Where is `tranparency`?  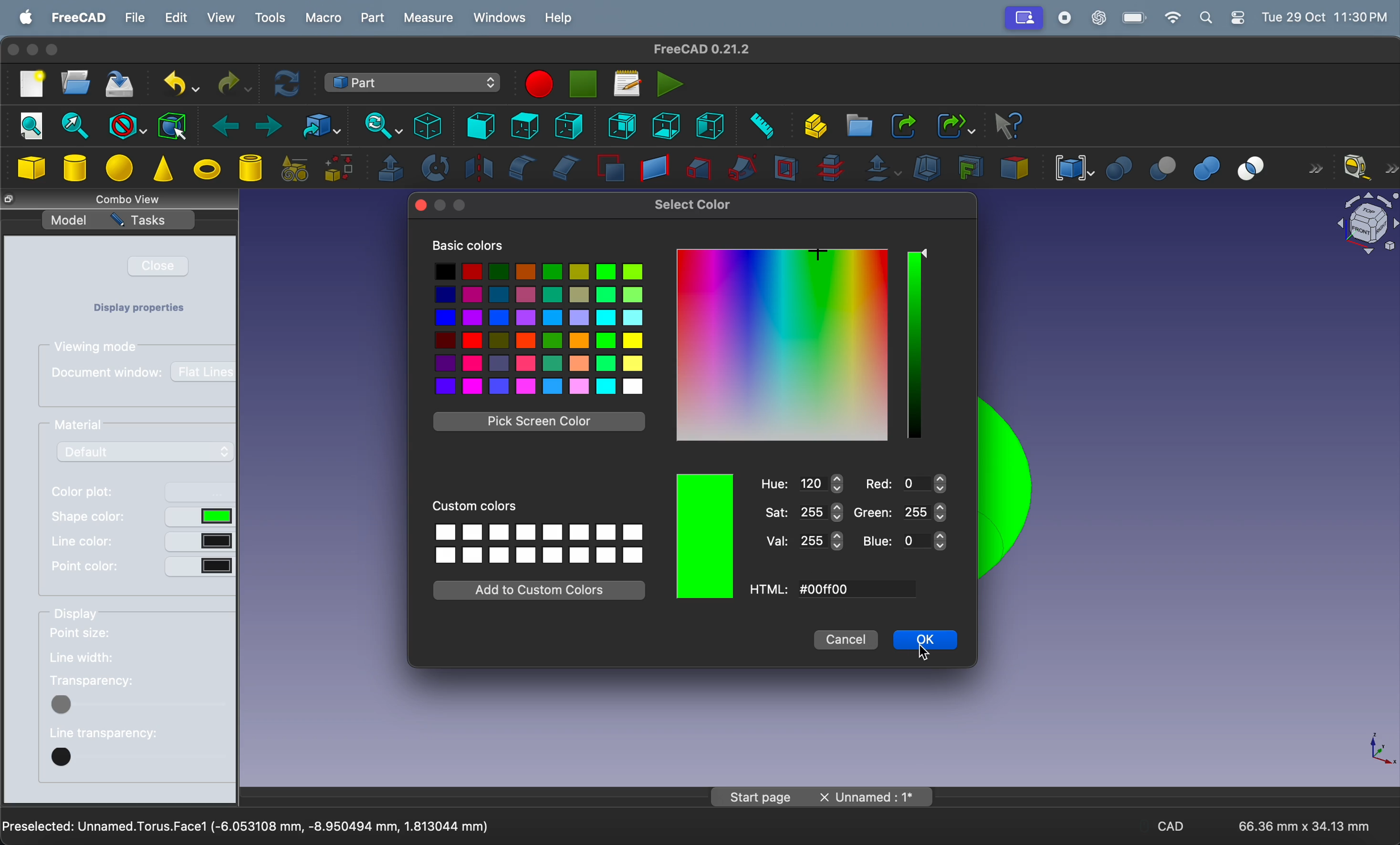
tranparency is located at coordinates (105, 681).